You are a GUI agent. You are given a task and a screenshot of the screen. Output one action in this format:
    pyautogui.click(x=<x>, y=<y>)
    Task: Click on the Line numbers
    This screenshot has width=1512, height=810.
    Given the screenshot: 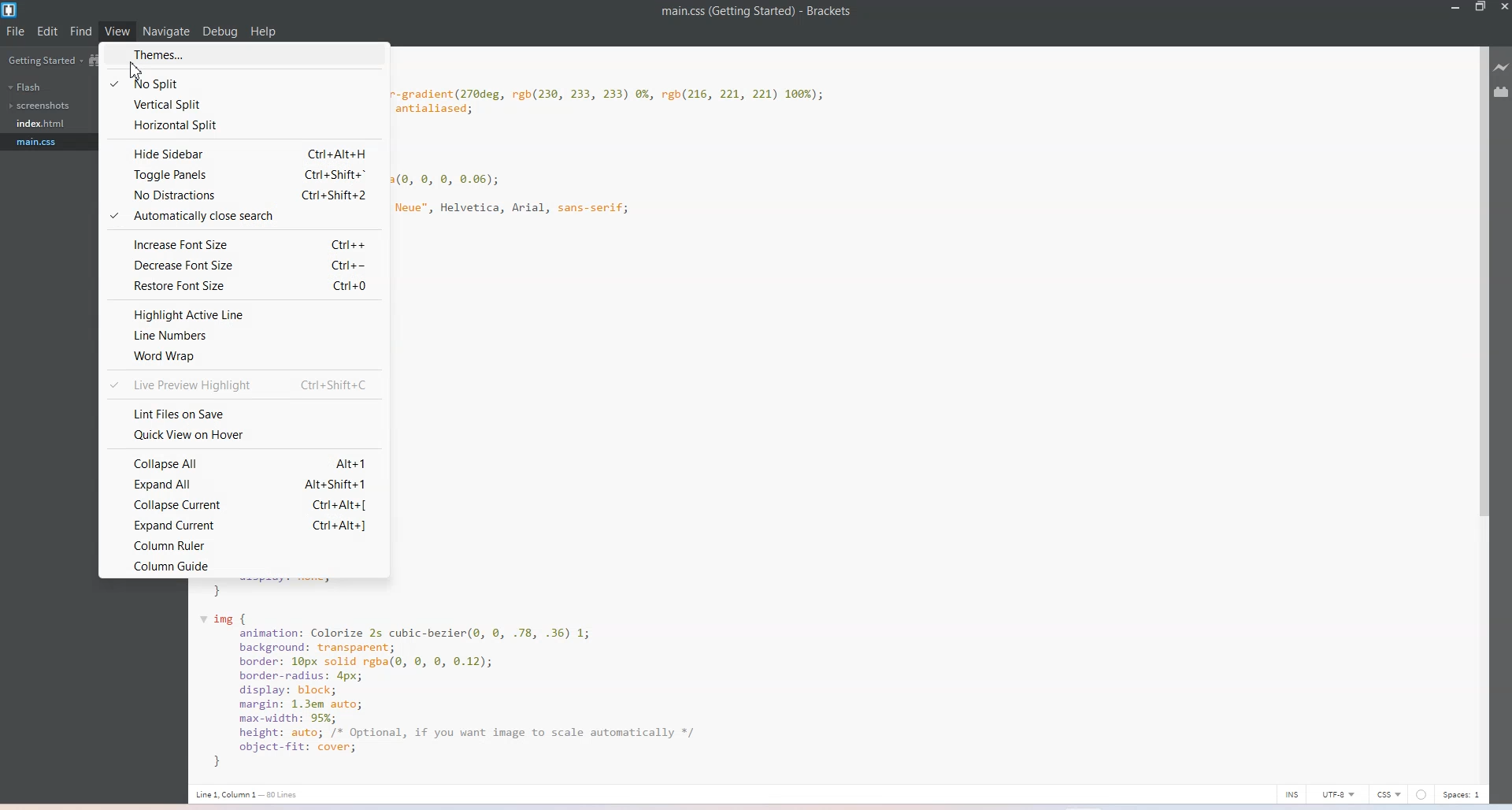 What is the action you would take?
    pyautogui.click(x=245, y=335)
    